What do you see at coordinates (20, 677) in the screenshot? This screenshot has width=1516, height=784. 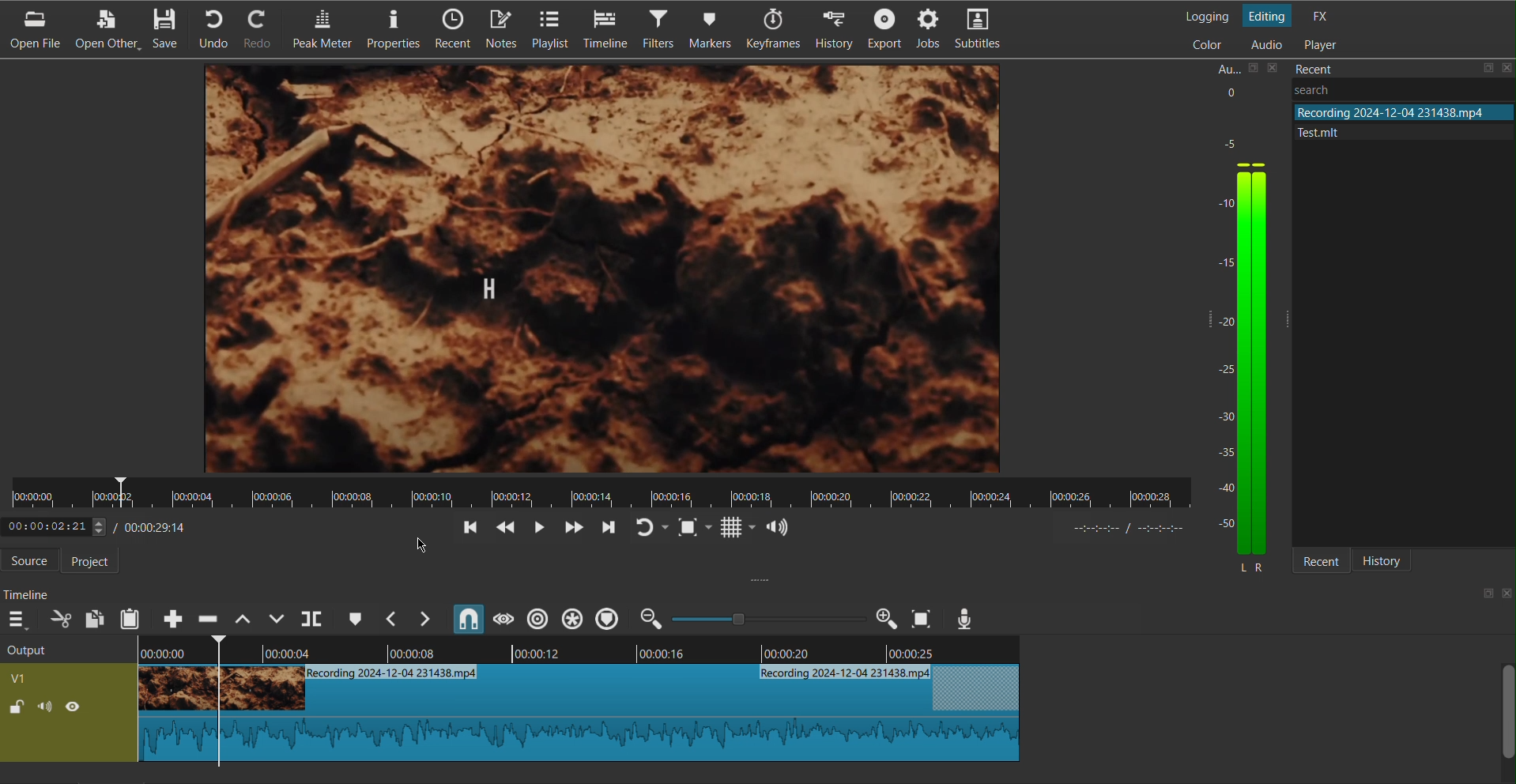 I see `v1` at bounding box center [20, 677].